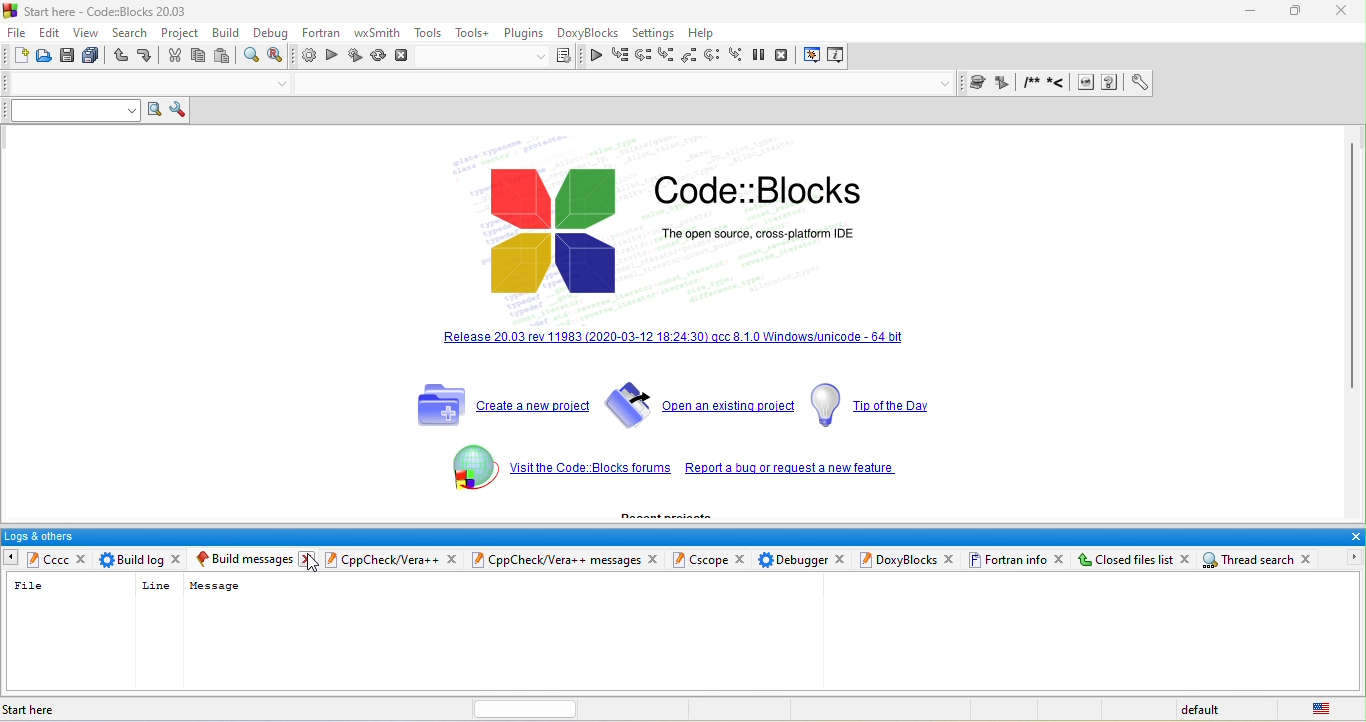  What do you see at coordinates (332, 57) in the screenshot?
I see `run` at bounding box center [332, 57].